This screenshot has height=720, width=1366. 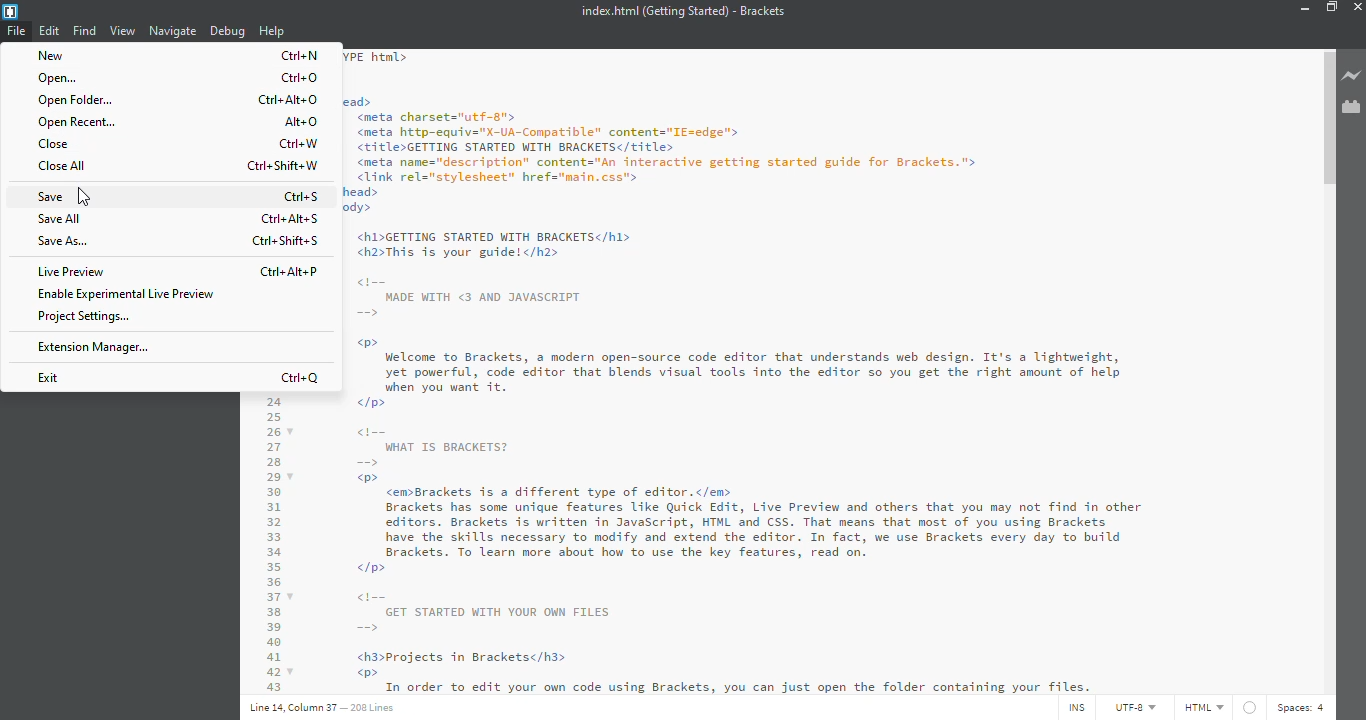 What do you see at coordinates (272, 31) in the screenshot?
I see `help` at bounding box center [272, 31].